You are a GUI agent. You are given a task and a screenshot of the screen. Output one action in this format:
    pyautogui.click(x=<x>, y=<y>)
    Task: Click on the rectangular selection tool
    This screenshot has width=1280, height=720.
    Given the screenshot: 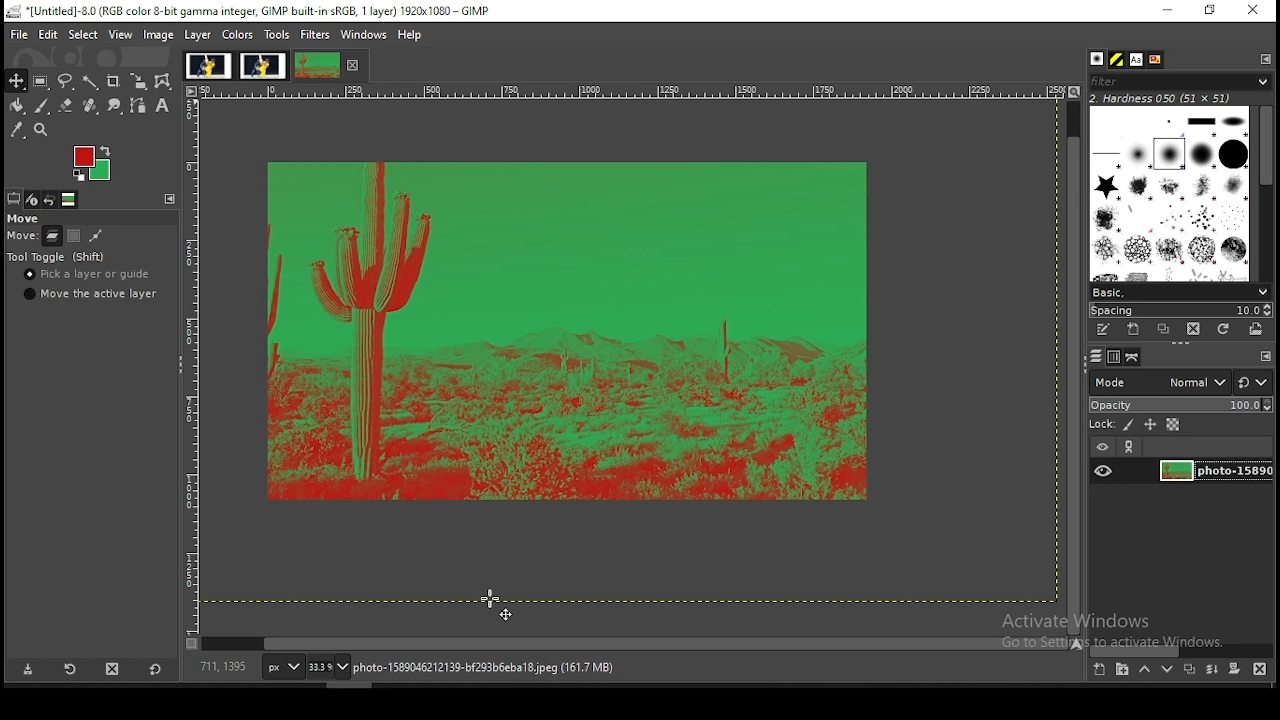 What is the action you would take?
    pyautogui.click(x=41, y=81)
    